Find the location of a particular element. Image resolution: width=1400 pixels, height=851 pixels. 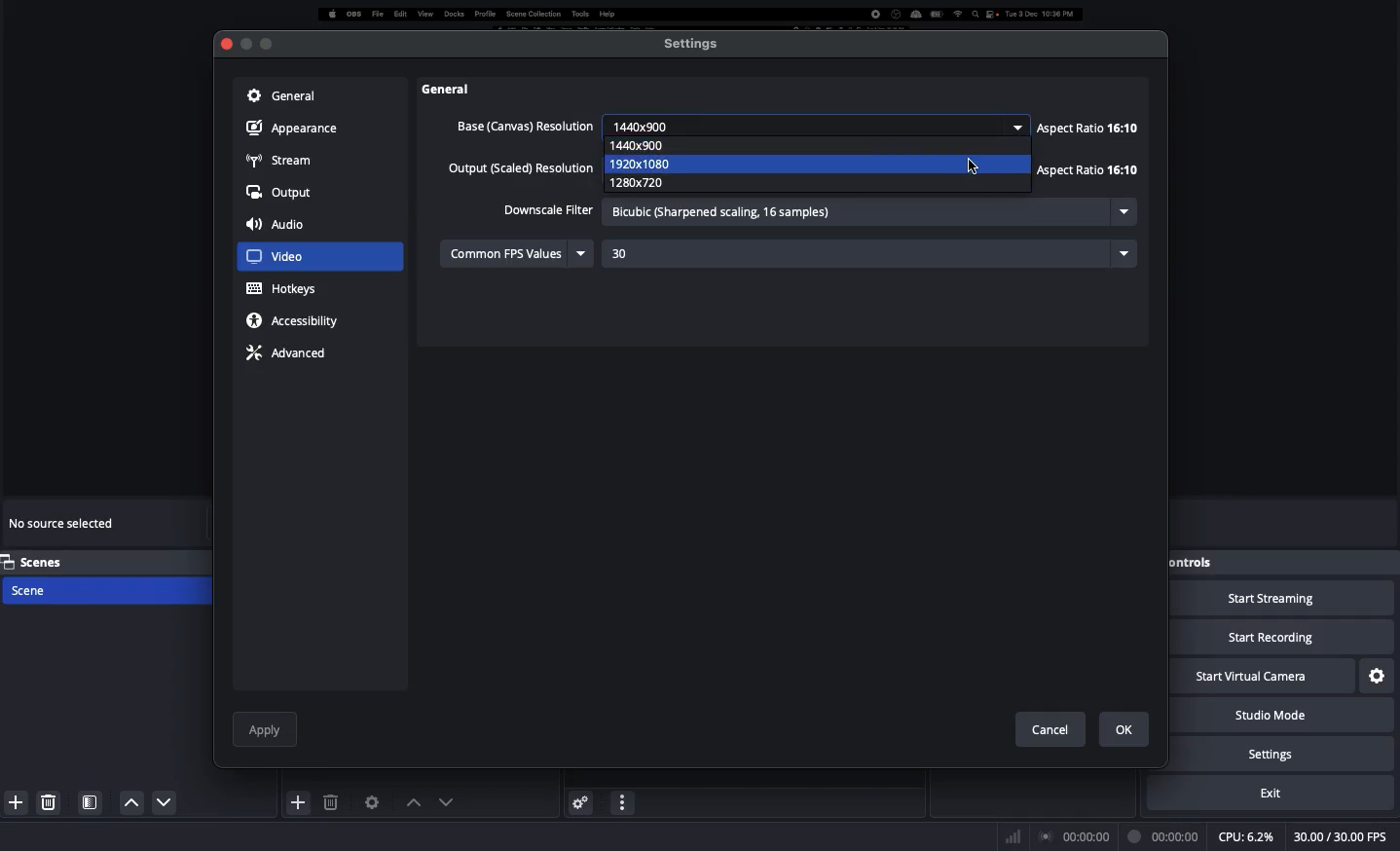

Move up is located at coordinates (410, 802).